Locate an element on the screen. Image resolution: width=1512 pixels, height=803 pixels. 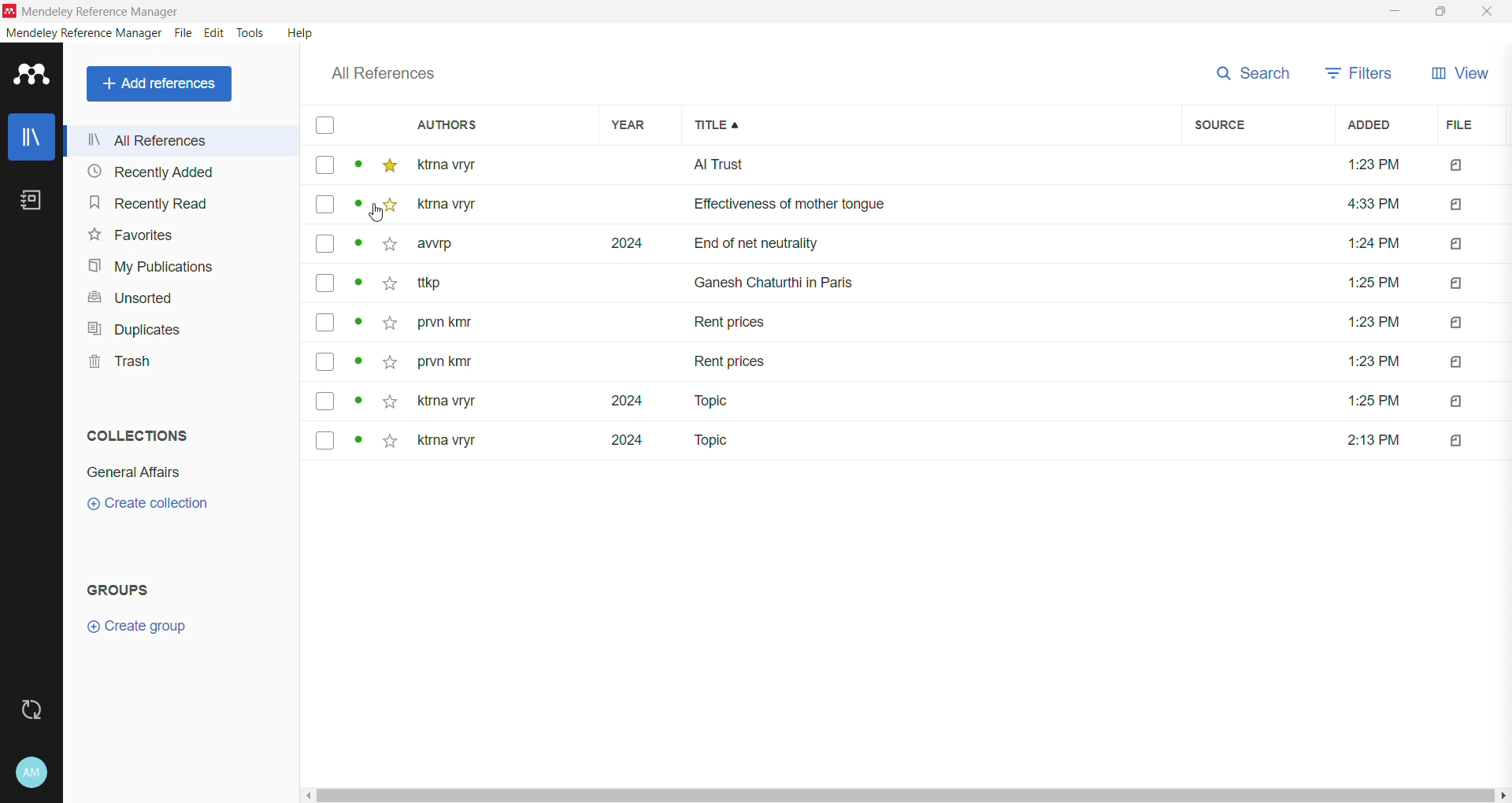
1:24pm is located at coordinates (1373, 244).